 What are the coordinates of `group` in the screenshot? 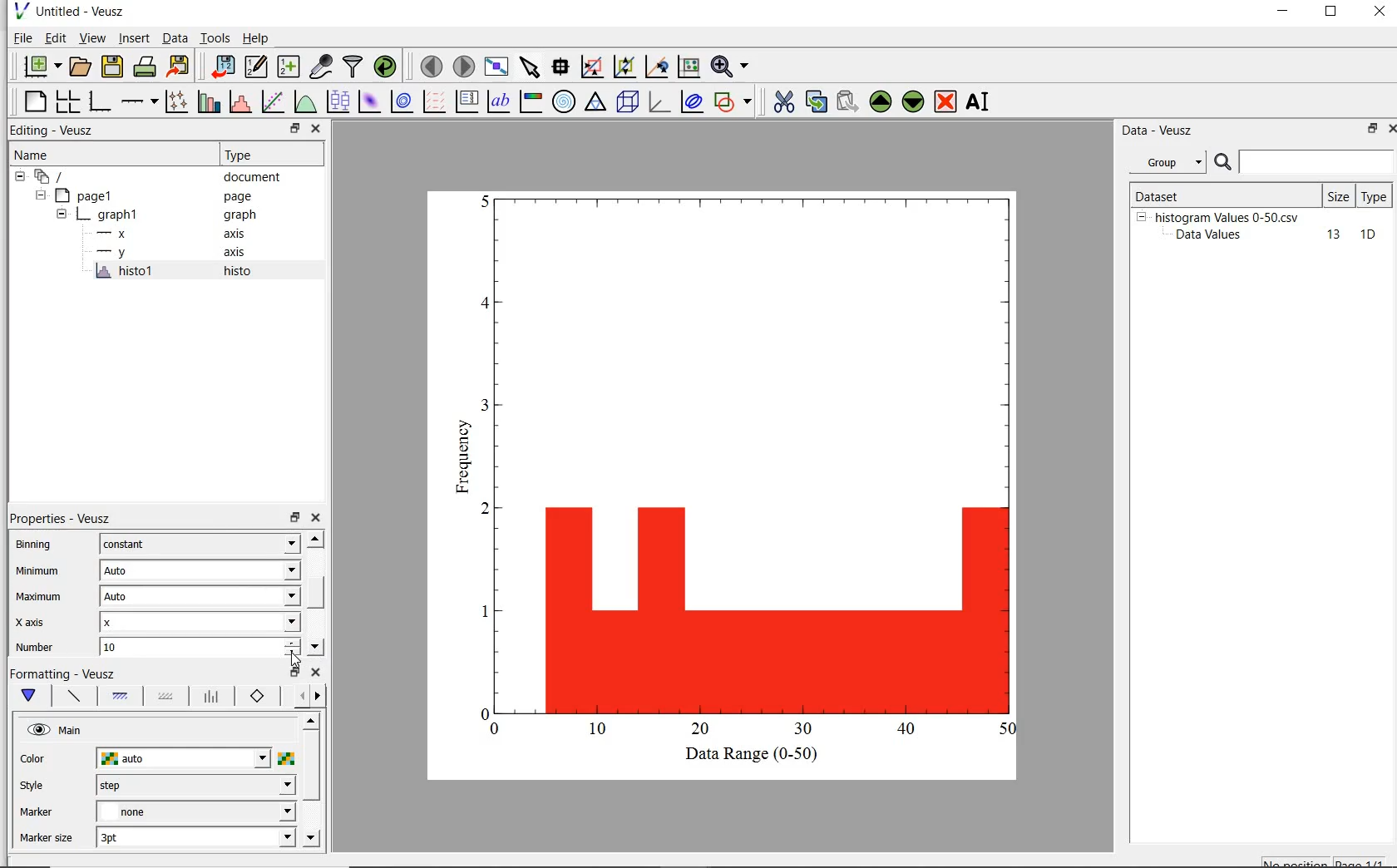 It's located at (1166, 162).